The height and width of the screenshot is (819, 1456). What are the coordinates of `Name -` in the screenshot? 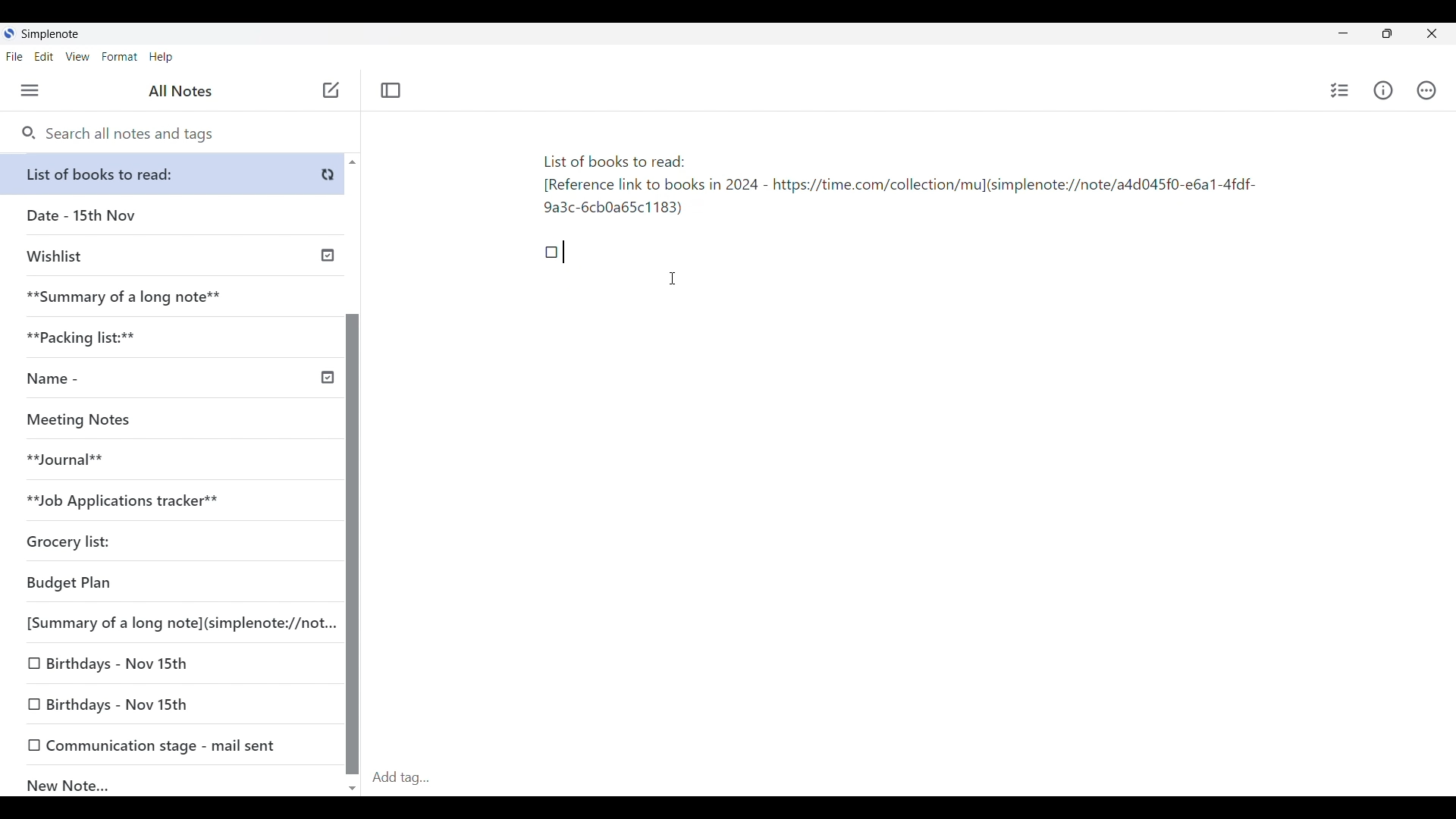 It's located at (177, 380).